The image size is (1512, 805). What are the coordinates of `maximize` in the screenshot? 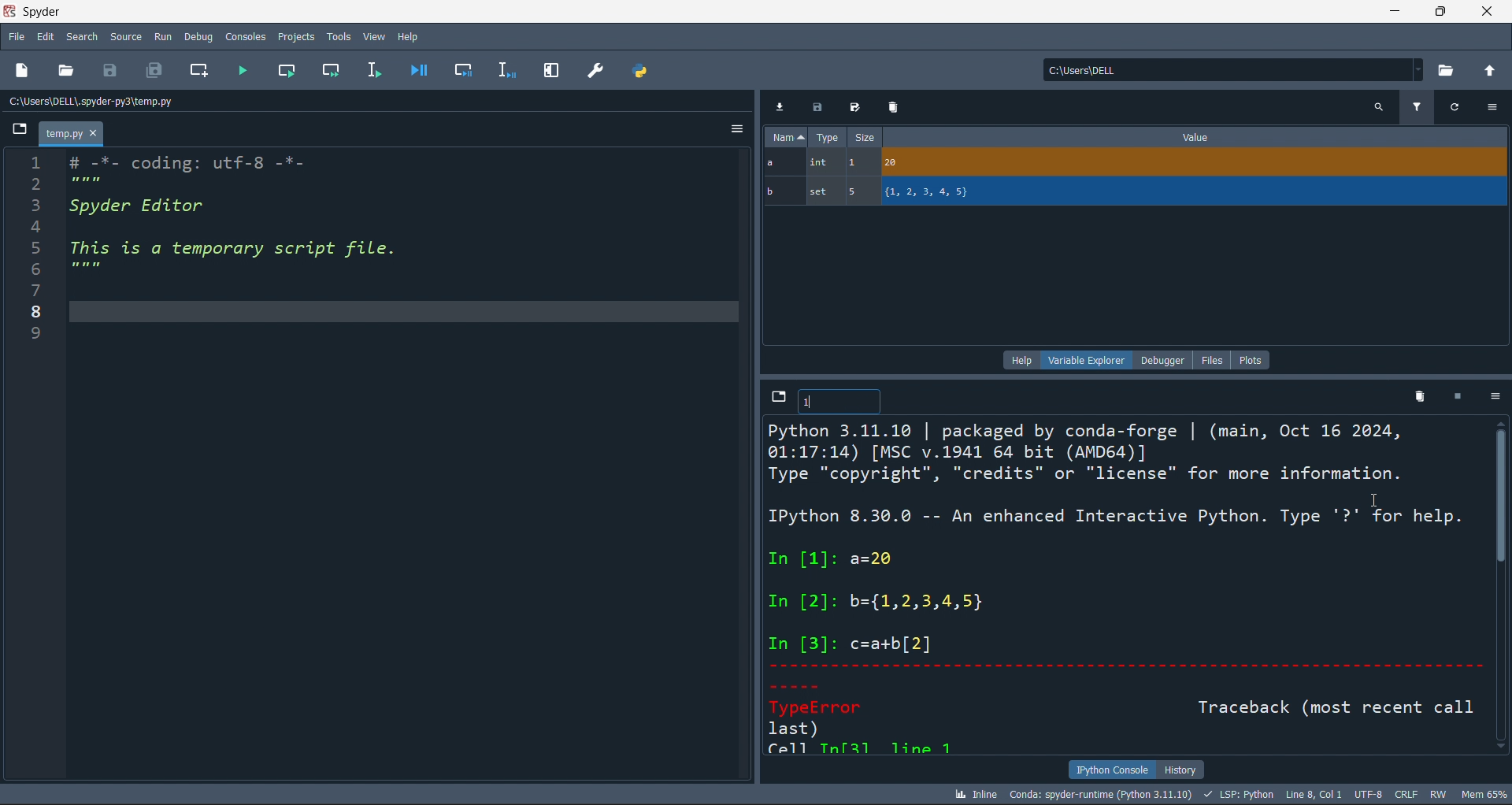 It's located at (1439, 11).